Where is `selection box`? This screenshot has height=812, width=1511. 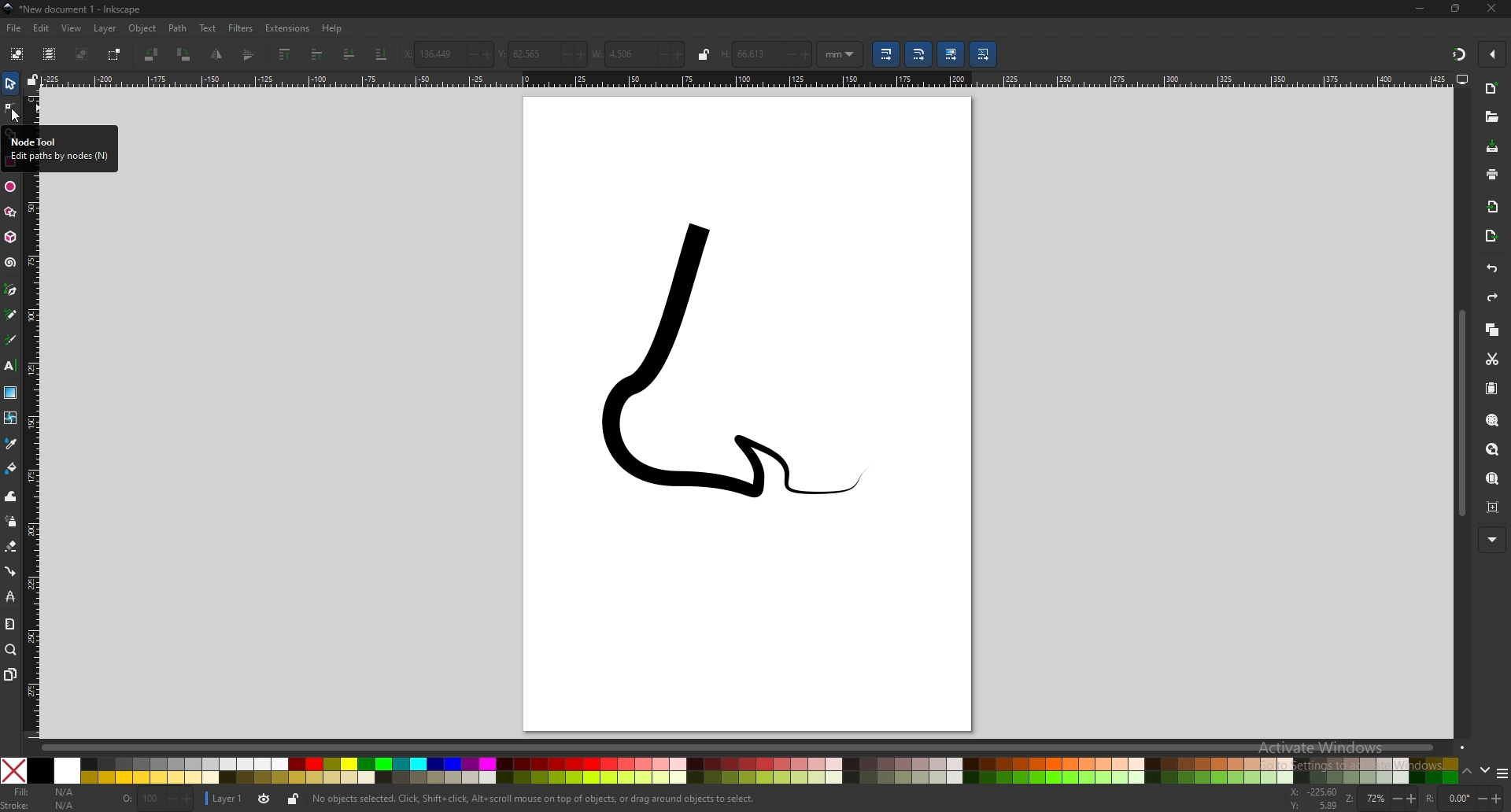
selection box is located at coordinates (116, 54).